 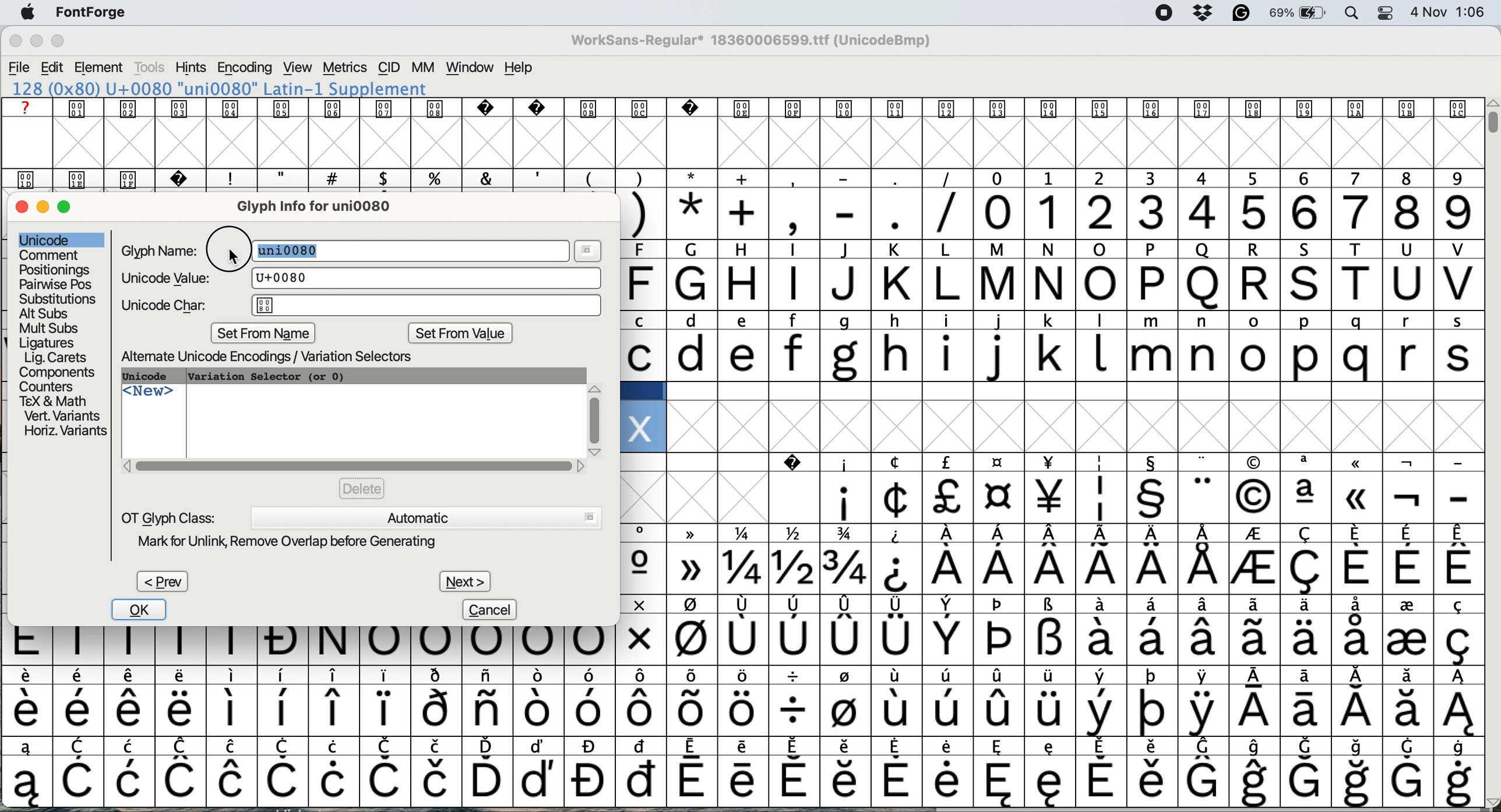 What do you see at coordinates (1050, 355) in the screenshot?
I see `lower case letters a to s` at bounding box center [1050, 355].